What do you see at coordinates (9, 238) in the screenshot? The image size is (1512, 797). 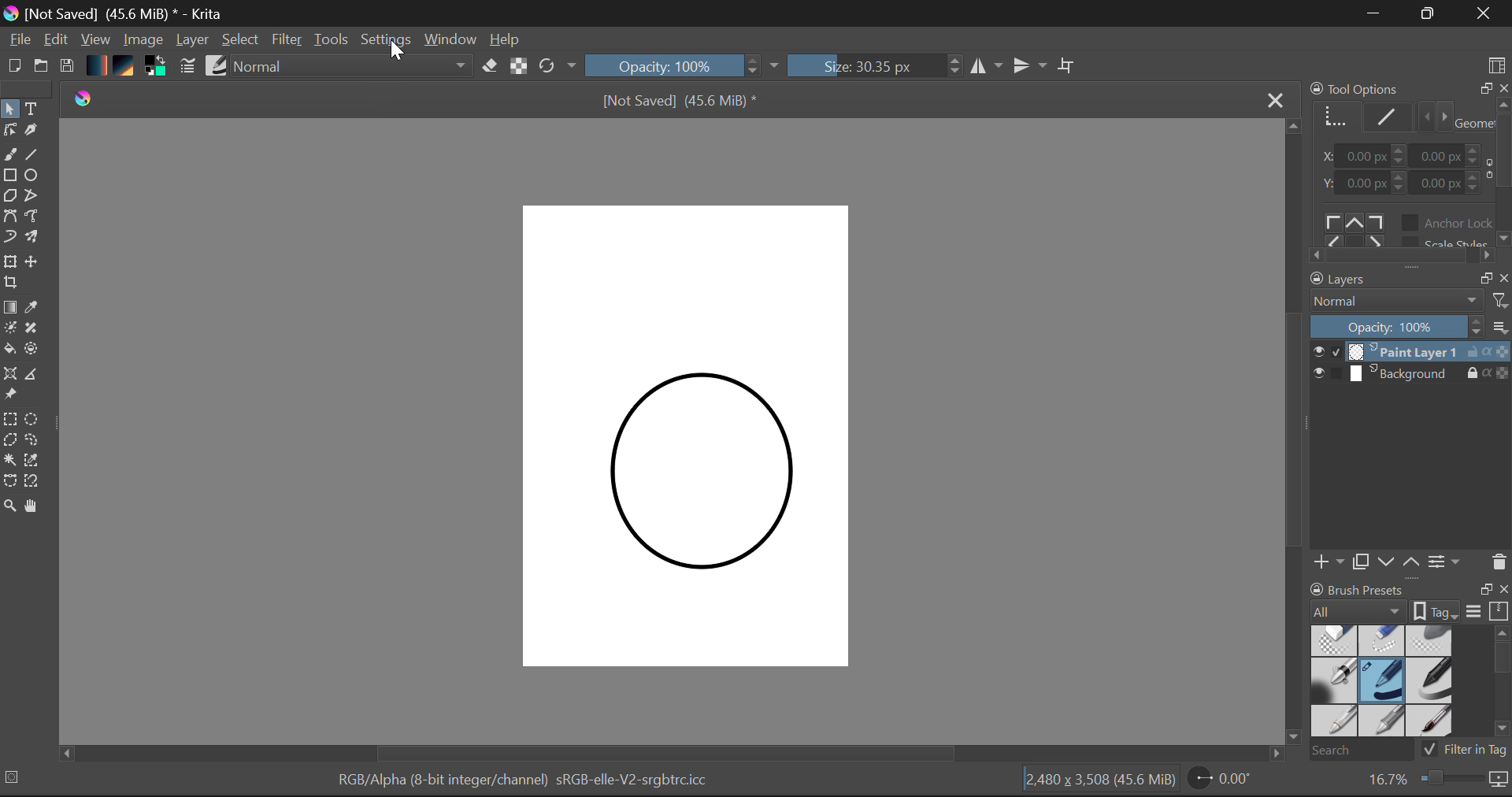 I see `Dynamic Paintbrush` at bounding box center [9, 238].